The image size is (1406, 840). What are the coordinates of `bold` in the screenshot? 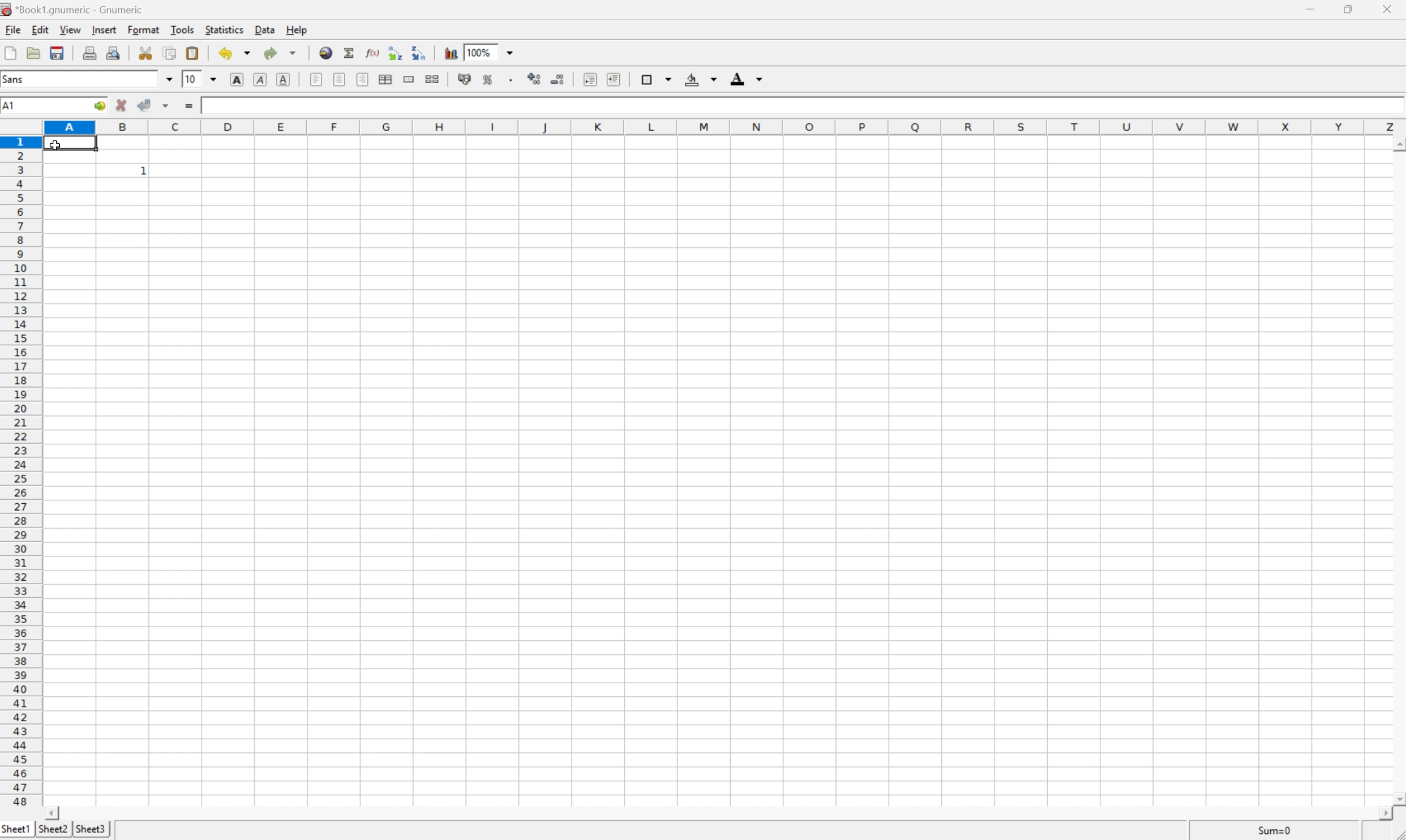 It's located at (237, 80).